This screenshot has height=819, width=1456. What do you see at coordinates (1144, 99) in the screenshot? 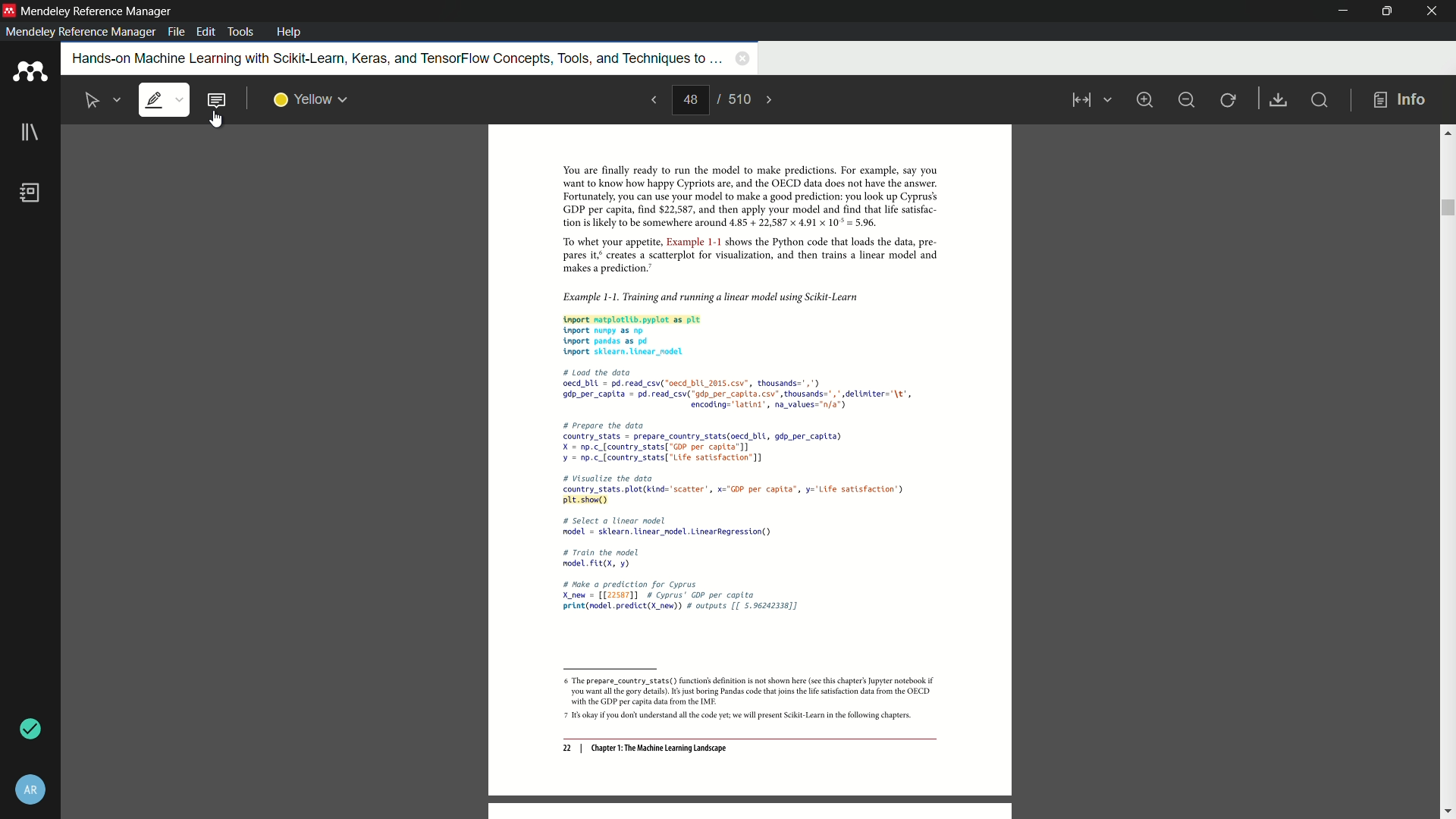
I see `zoom in` at bounding box center [1144, 99].